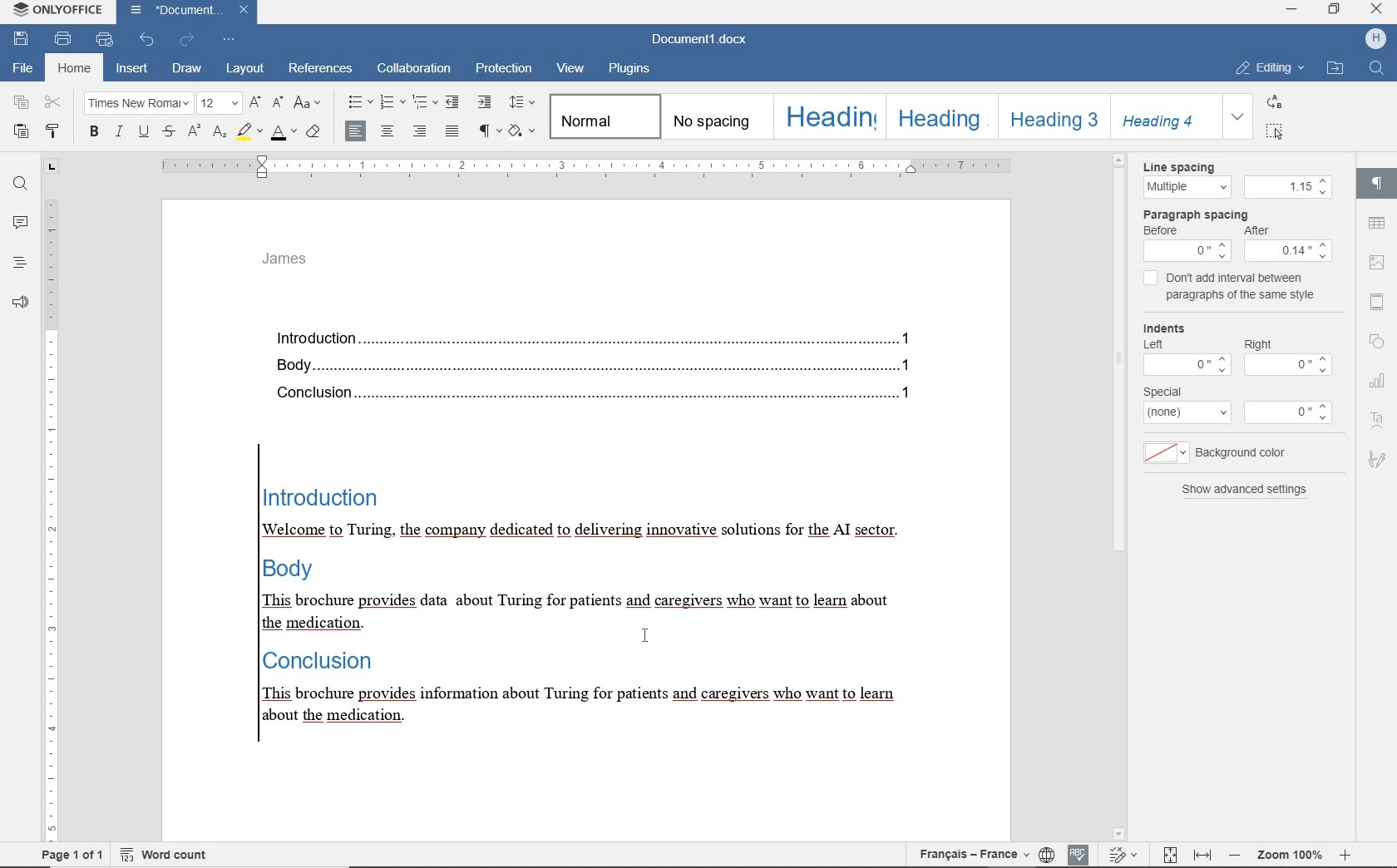 This screenshot has height=868, width=1397. What do you see at coordinates (64, 39) in the screenshot?
I see `print` at bounding box center [64, 39].